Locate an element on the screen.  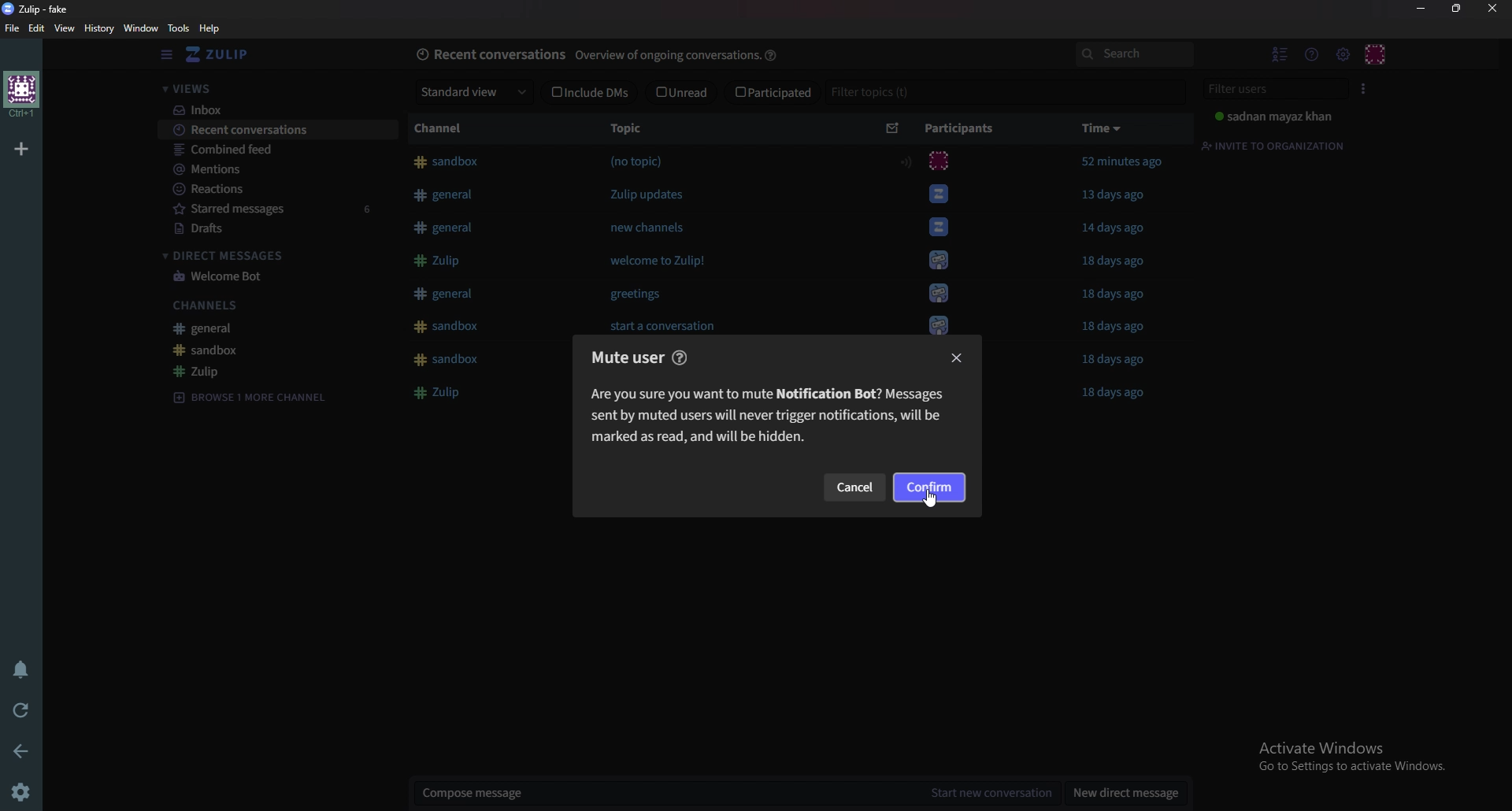
Start new conversation is located at coordinates (989, 793).